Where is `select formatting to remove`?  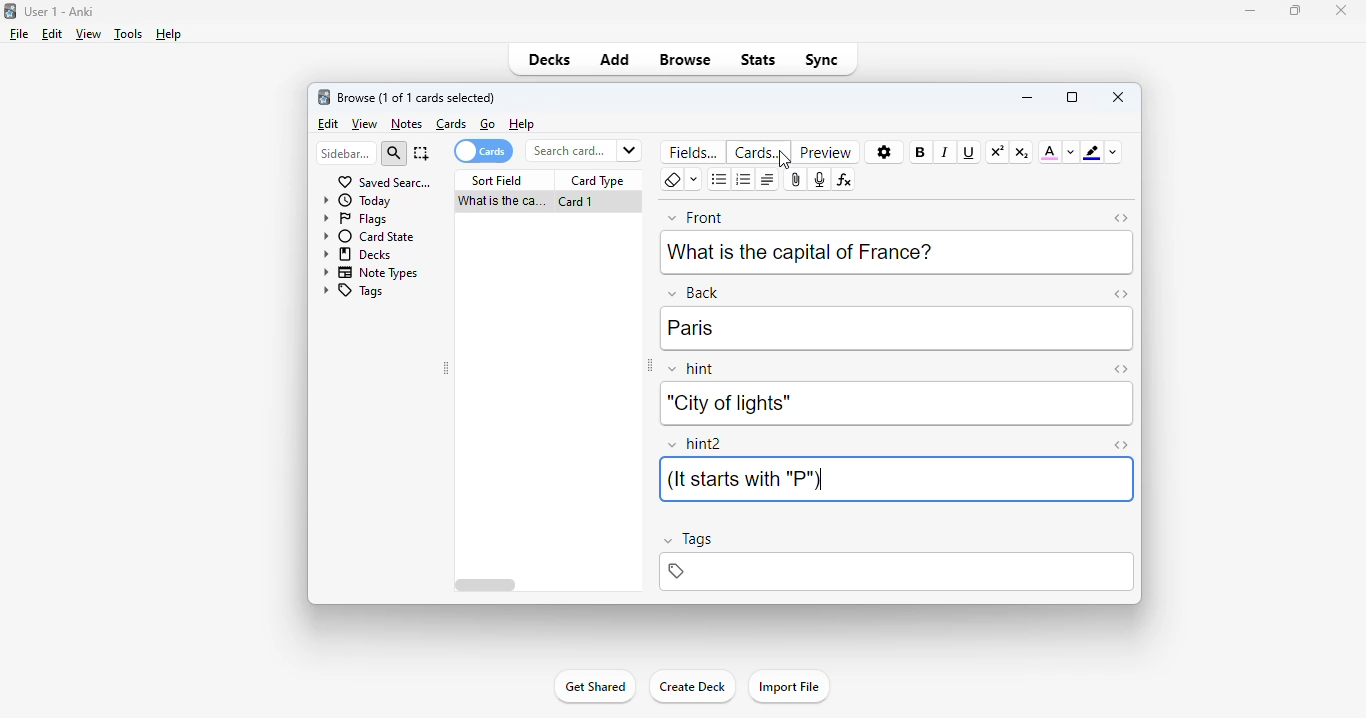
select formatting to remove is located at coordinates (694, 180).